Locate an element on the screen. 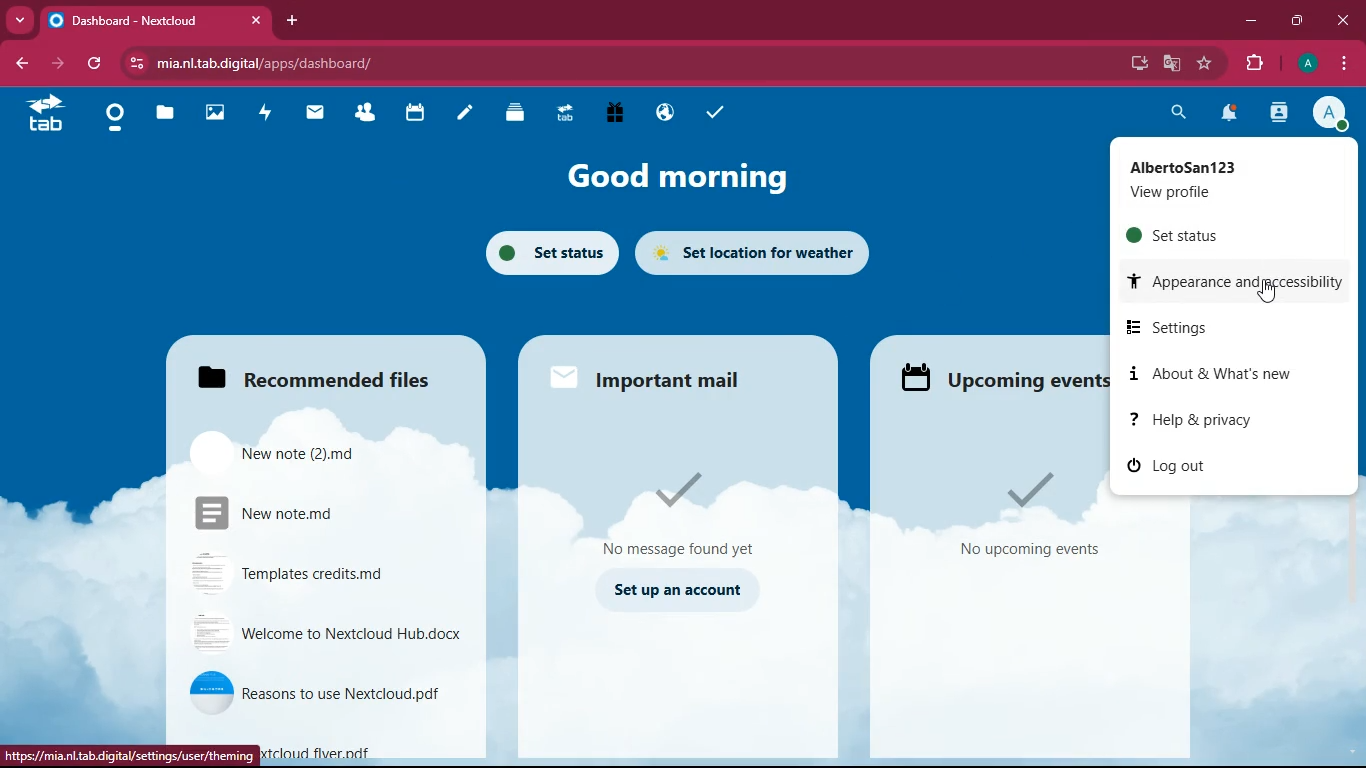 This screenshot has width=1366, height=768. extensions is located at coordinates (1253, 62).